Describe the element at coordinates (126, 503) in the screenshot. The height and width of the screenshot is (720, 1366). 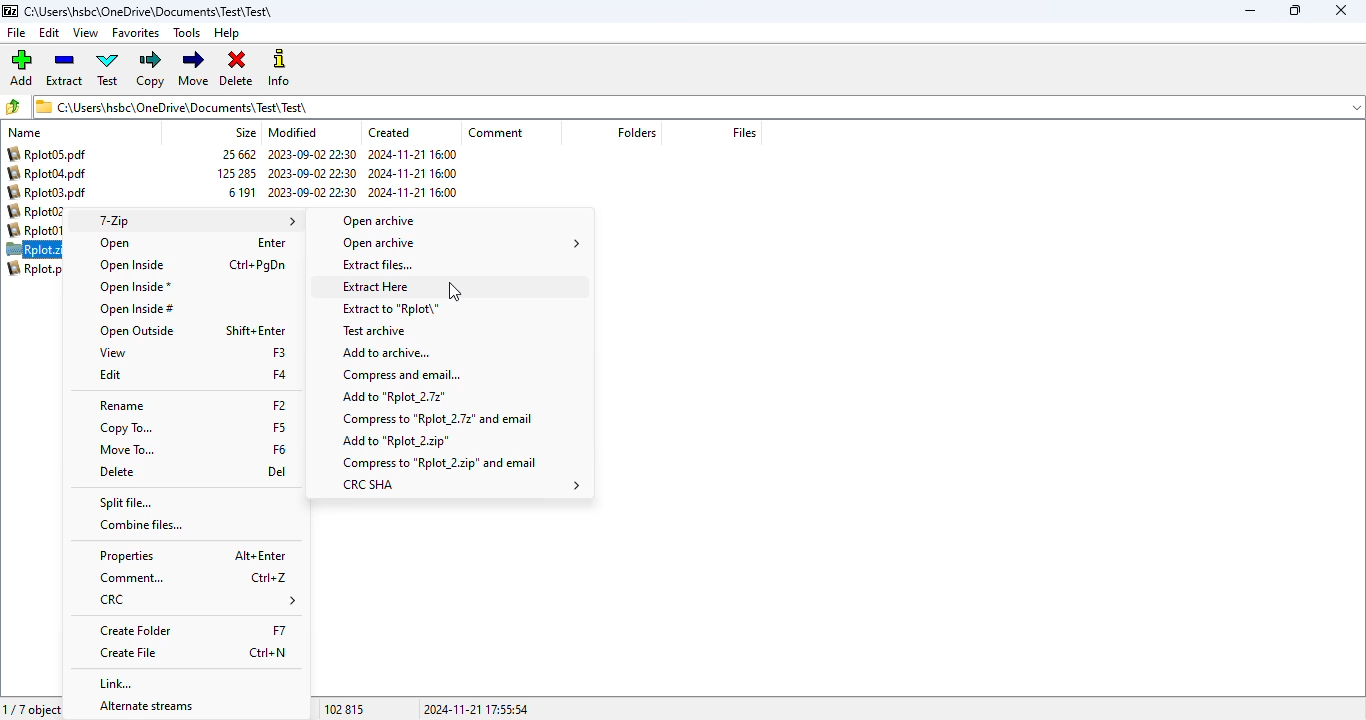
I see `split file` at that location.